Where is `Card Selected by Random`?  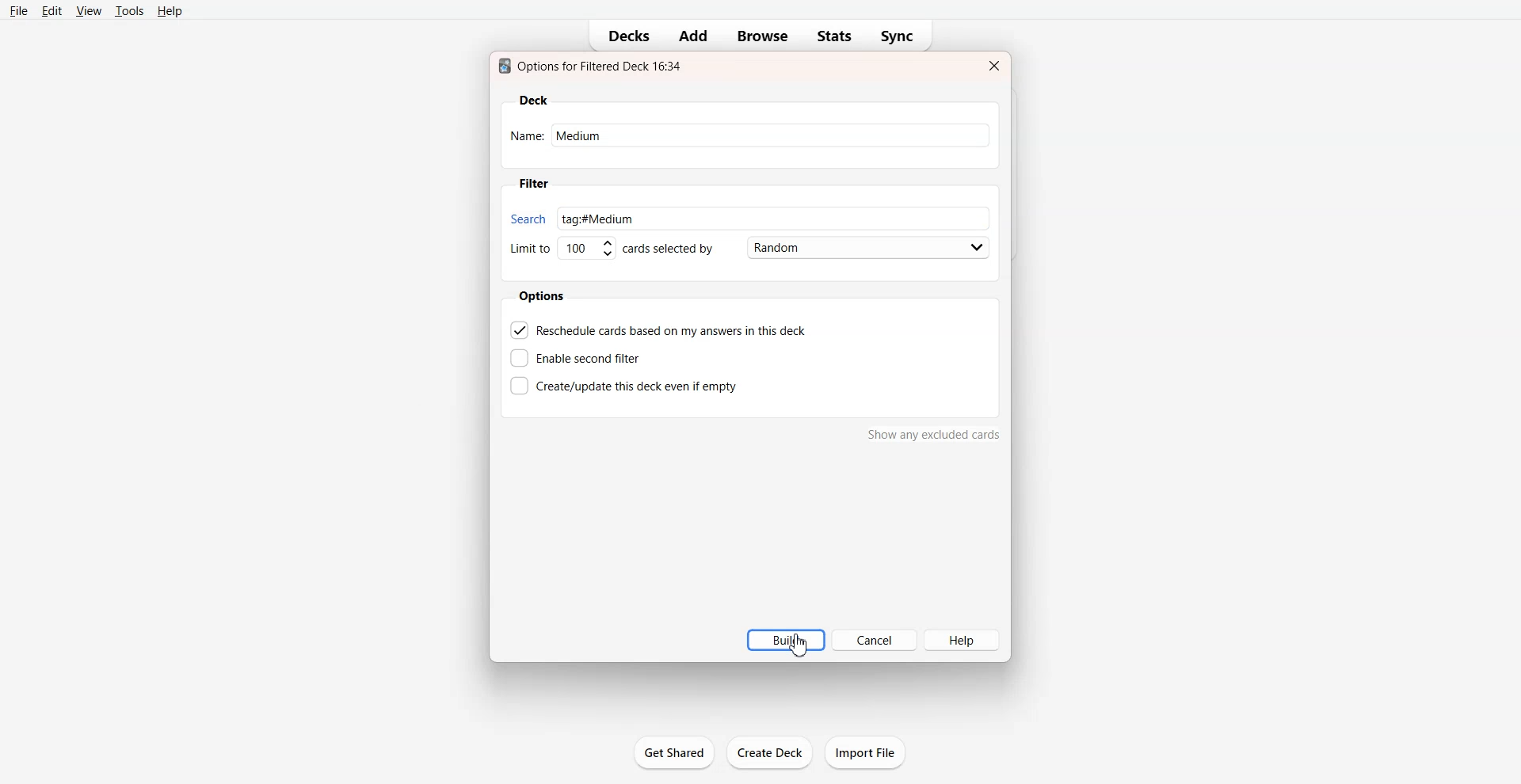 Card Selected by Random is located at coordinates (810, 247).